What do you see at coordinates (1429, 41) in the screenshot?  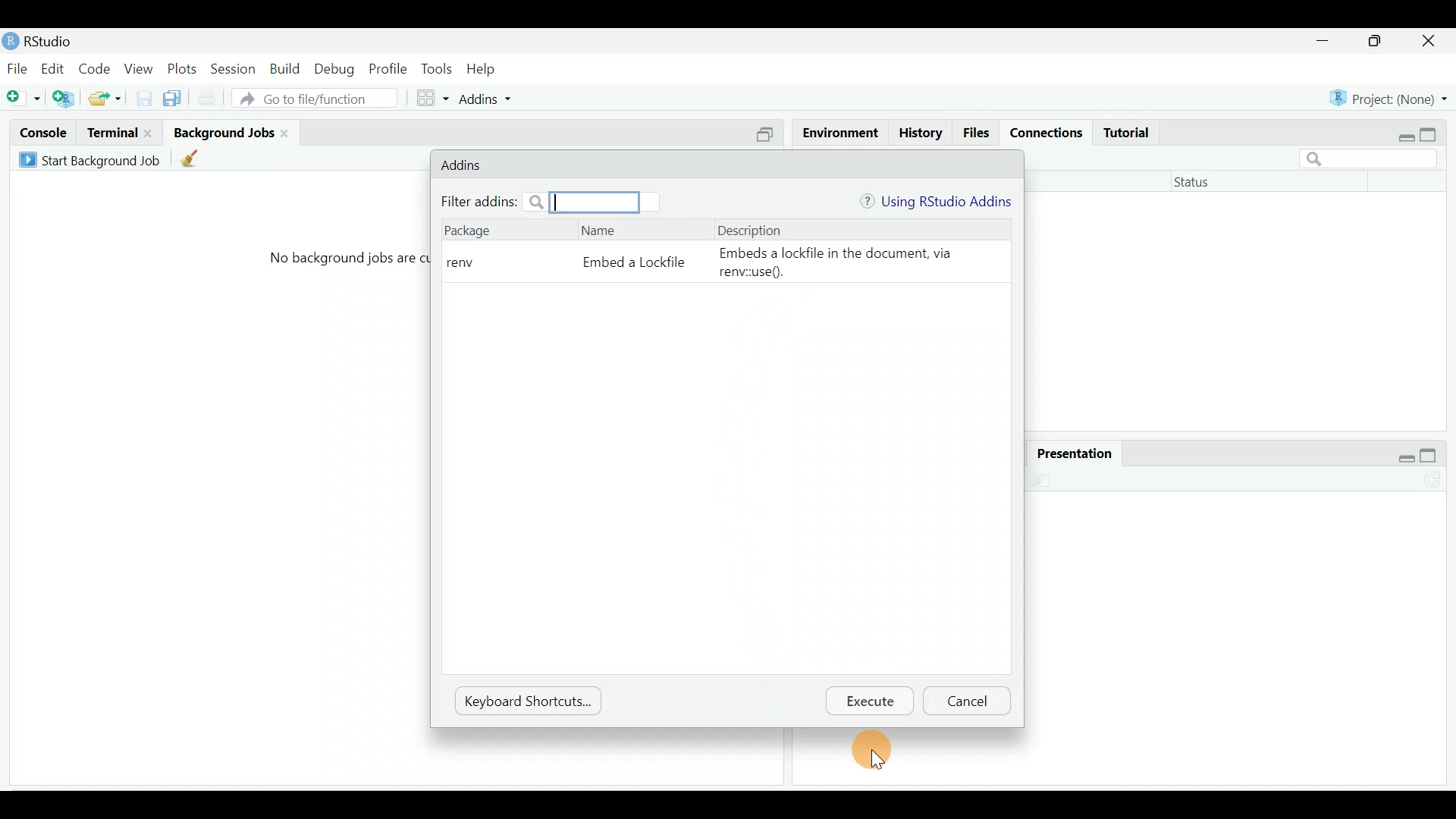 I see `close` at bounding box center [1429, 41].